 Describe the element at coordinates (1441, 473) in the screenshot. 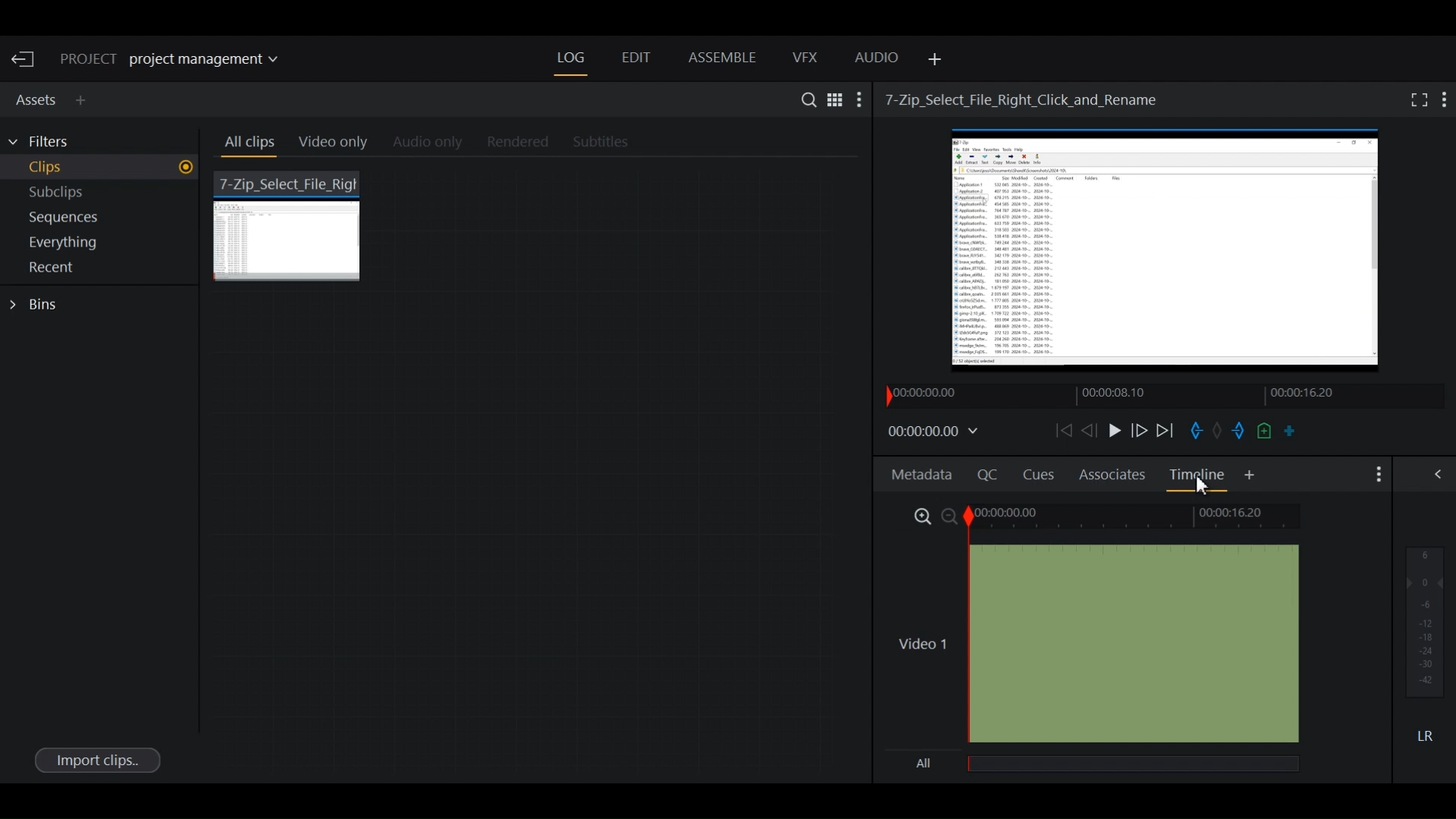

I see `Show/Hide Full Audio mix` at that location.